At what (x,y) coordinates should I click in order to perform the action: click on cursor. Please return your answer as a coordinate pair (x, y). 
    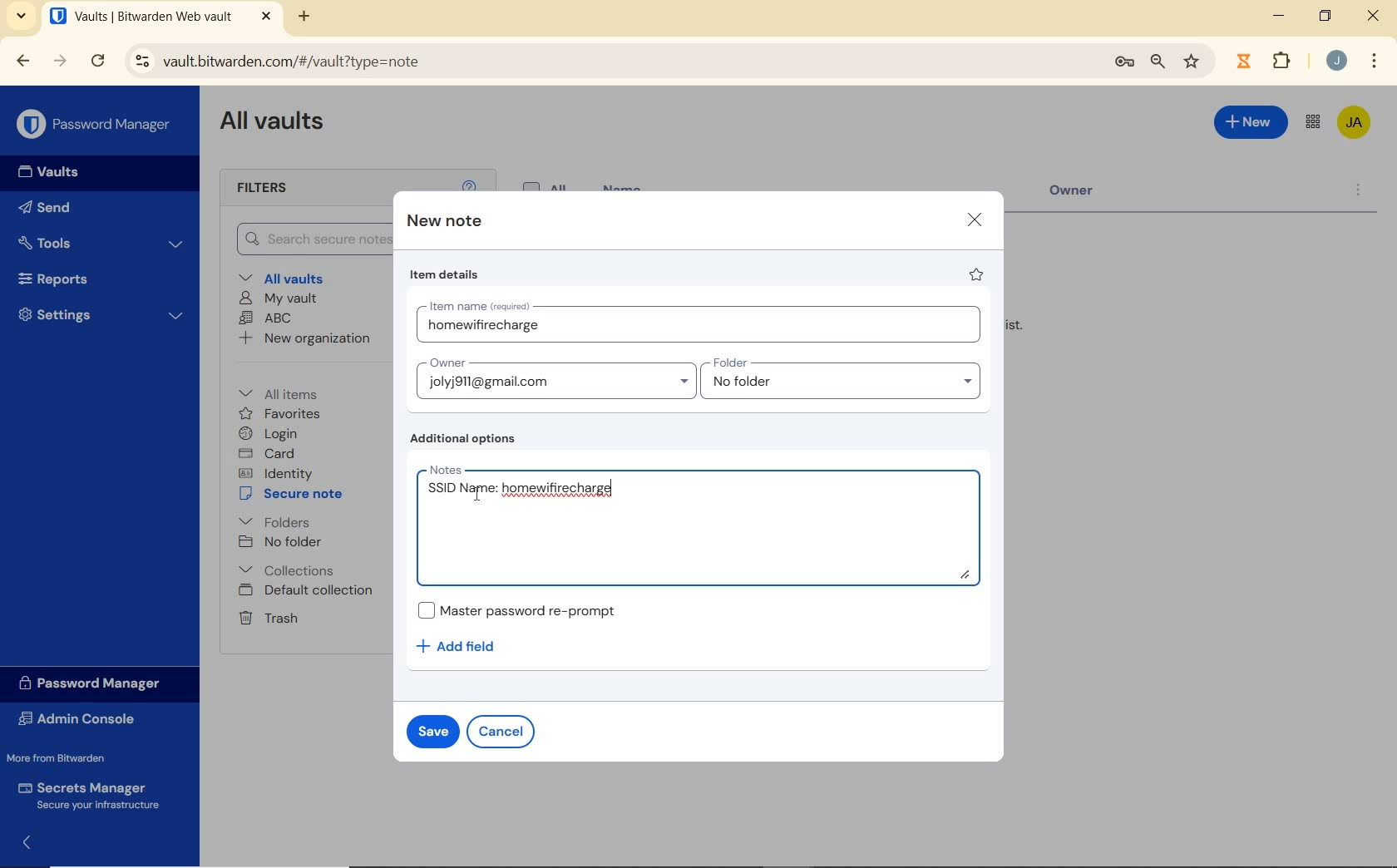
    Looking at the image, I should click on (476, 496).